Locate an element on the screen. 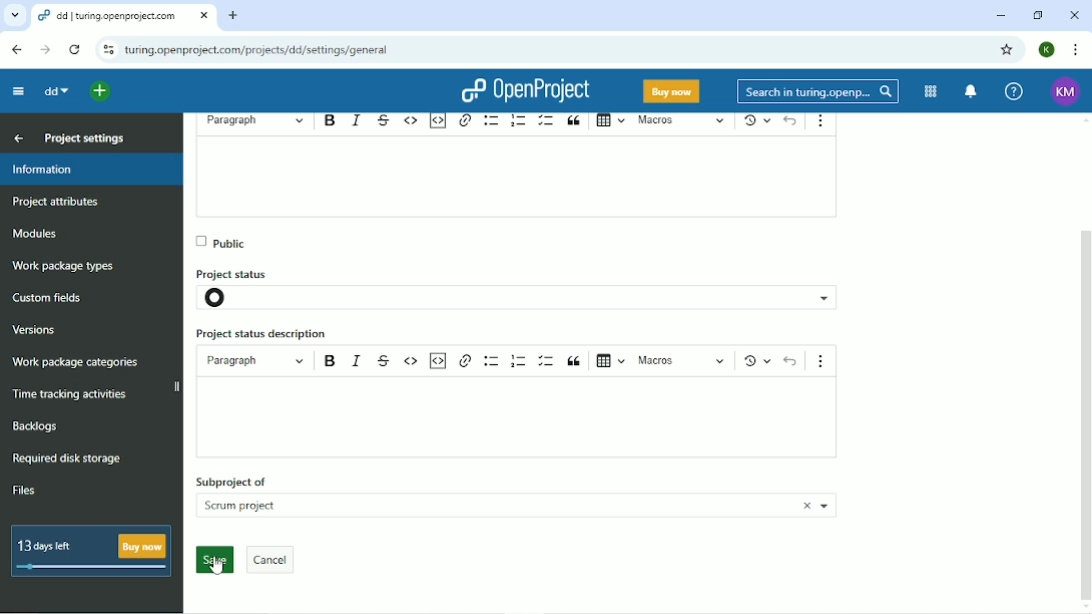 The height and width of the screenshot is (614, 1092). cancel is located at coordinates (274, 560).